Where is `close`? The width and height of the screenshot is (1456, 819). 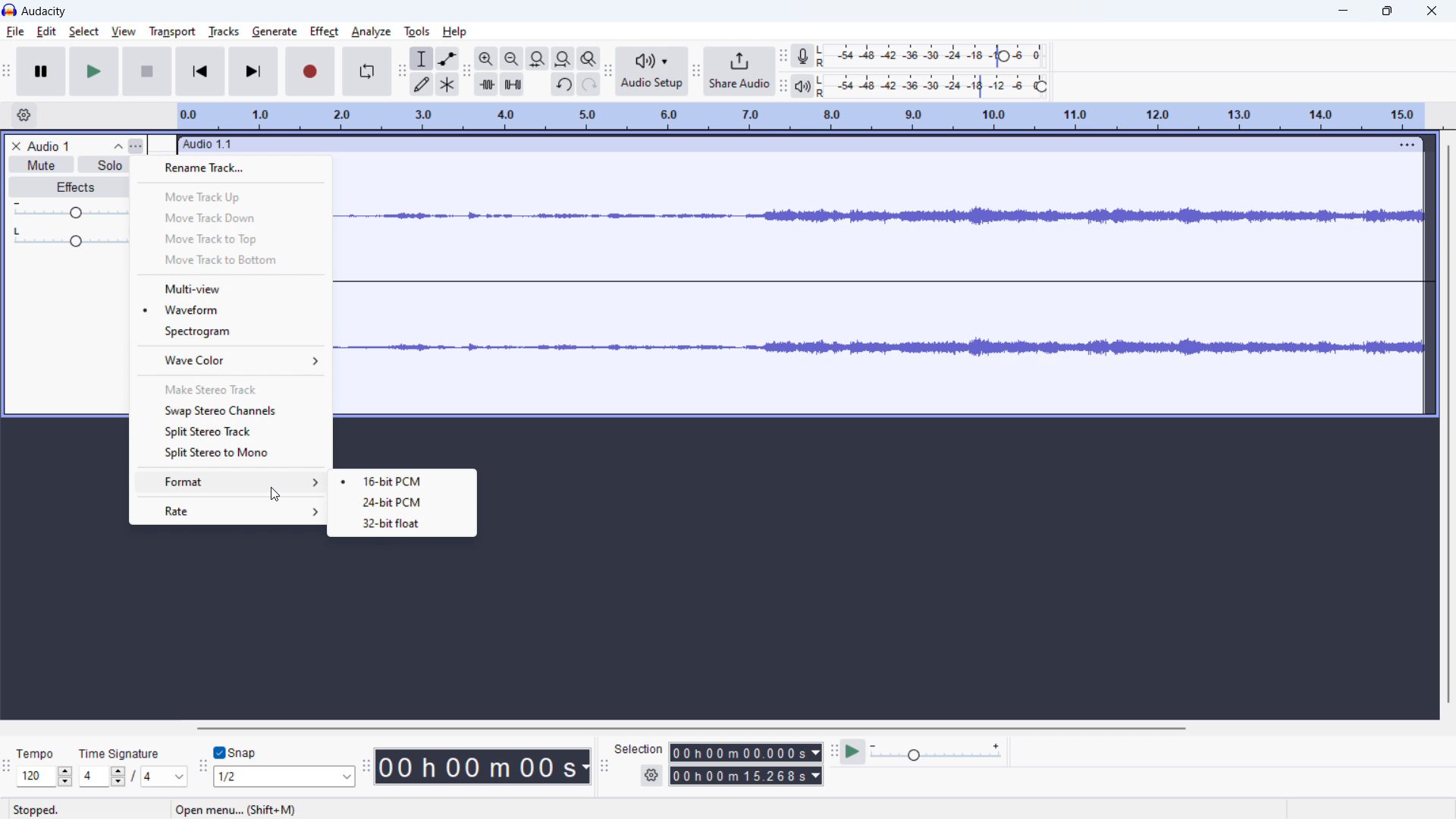
close is located at coordinates (1431, 10).